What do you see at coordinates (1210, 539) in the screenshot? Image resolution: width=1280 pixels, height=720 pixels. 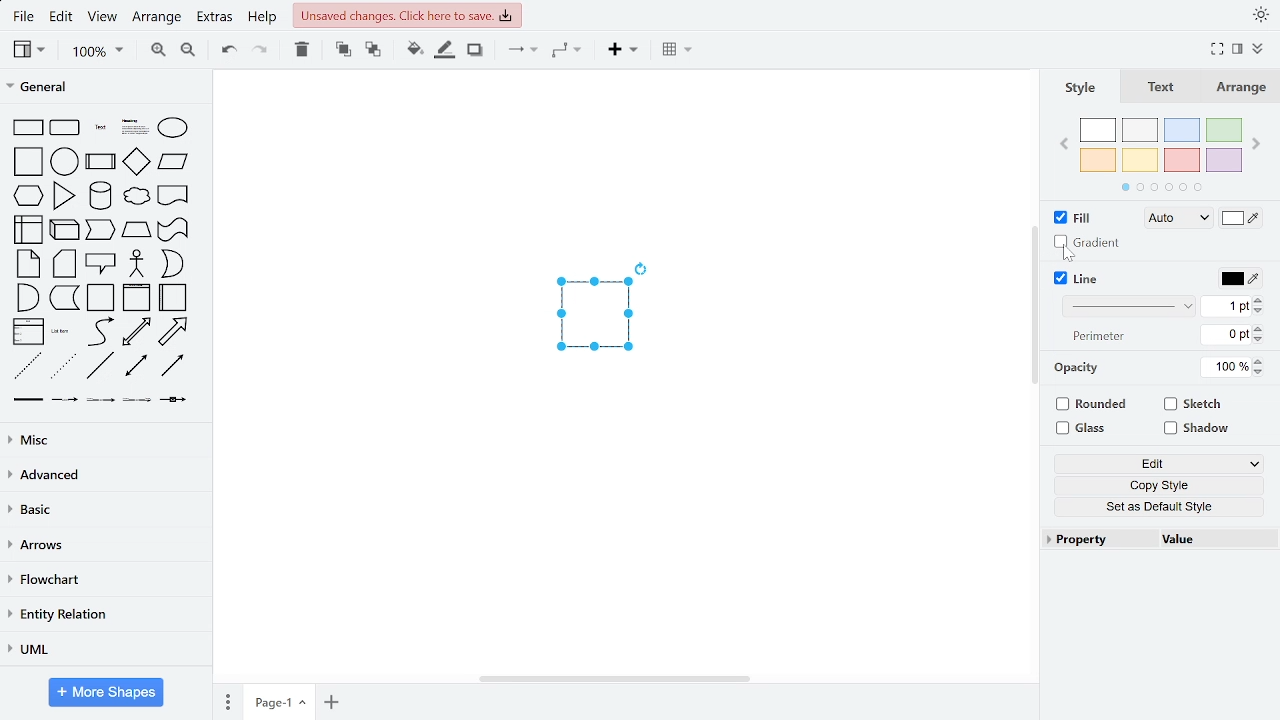 I see `value` at bounding box center [1210, 539].